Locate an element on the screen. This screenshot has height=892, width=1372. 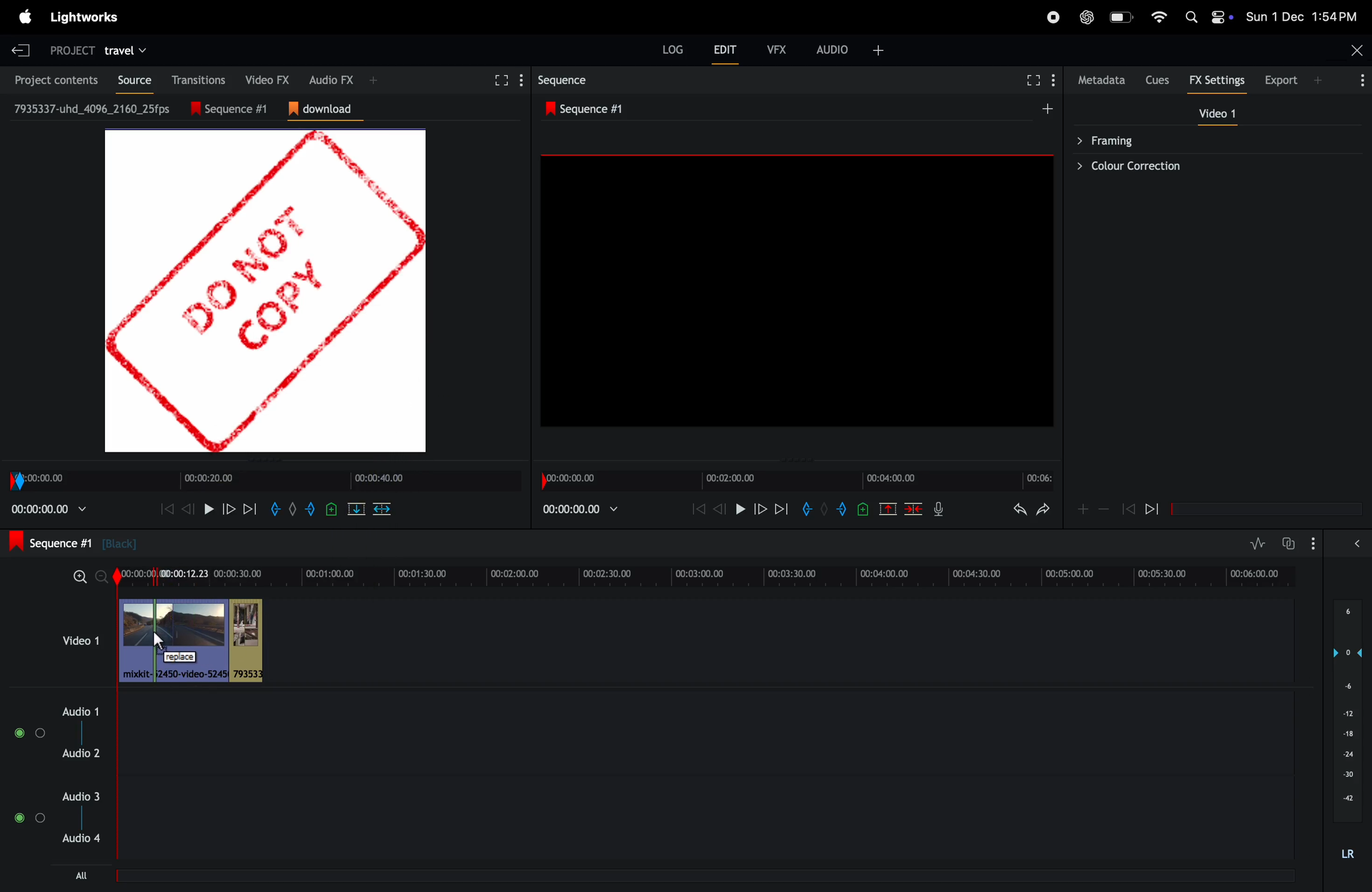
cut is located at coordinates (356, 509).